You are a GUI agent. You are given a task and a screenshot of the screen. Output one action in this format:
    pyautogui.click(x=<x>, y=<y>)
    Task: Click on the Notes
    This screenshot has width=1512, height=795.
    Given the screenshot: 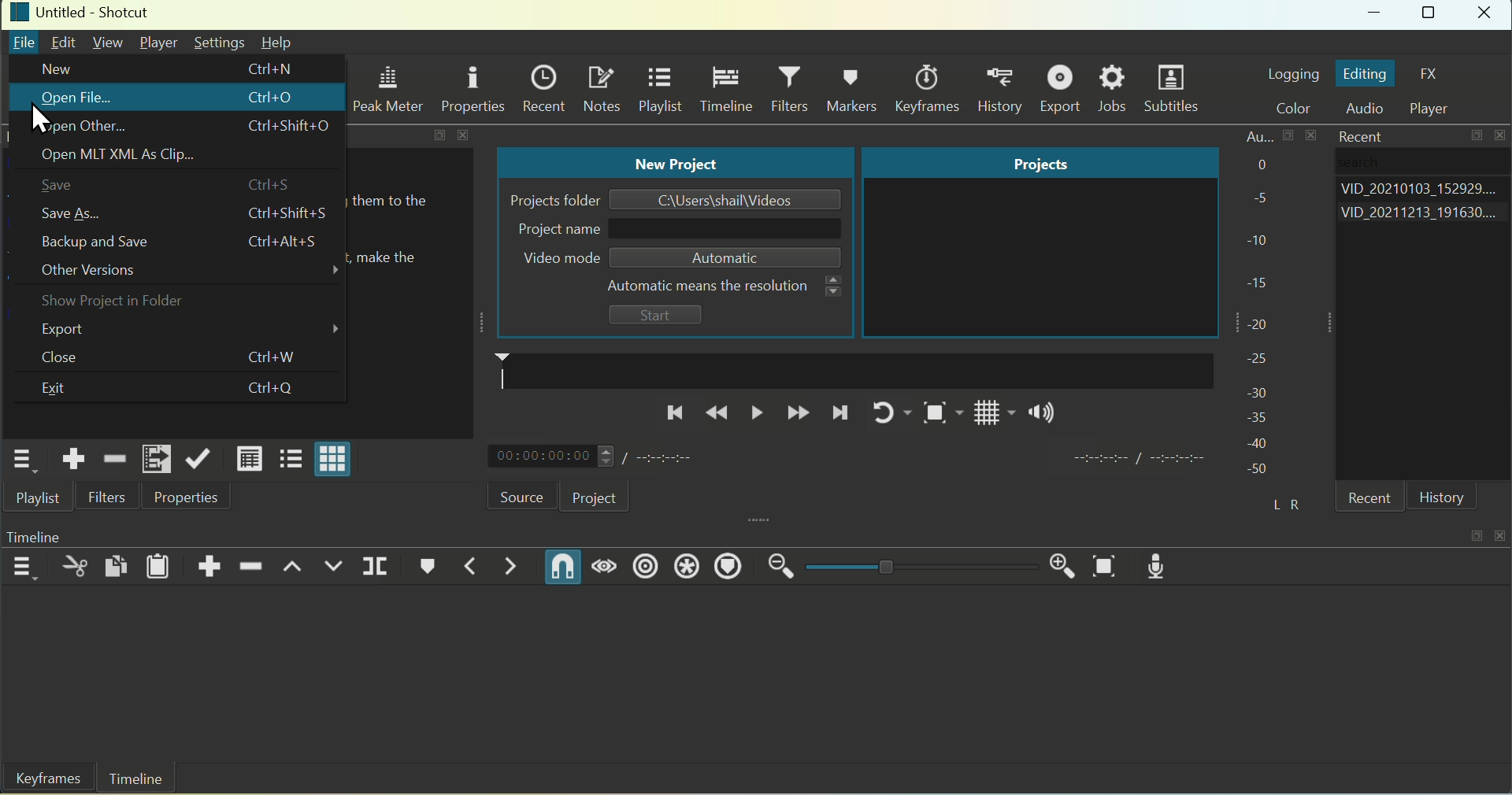 What is the action you would take?
    pyautogui.click(x=602, y=88)
    